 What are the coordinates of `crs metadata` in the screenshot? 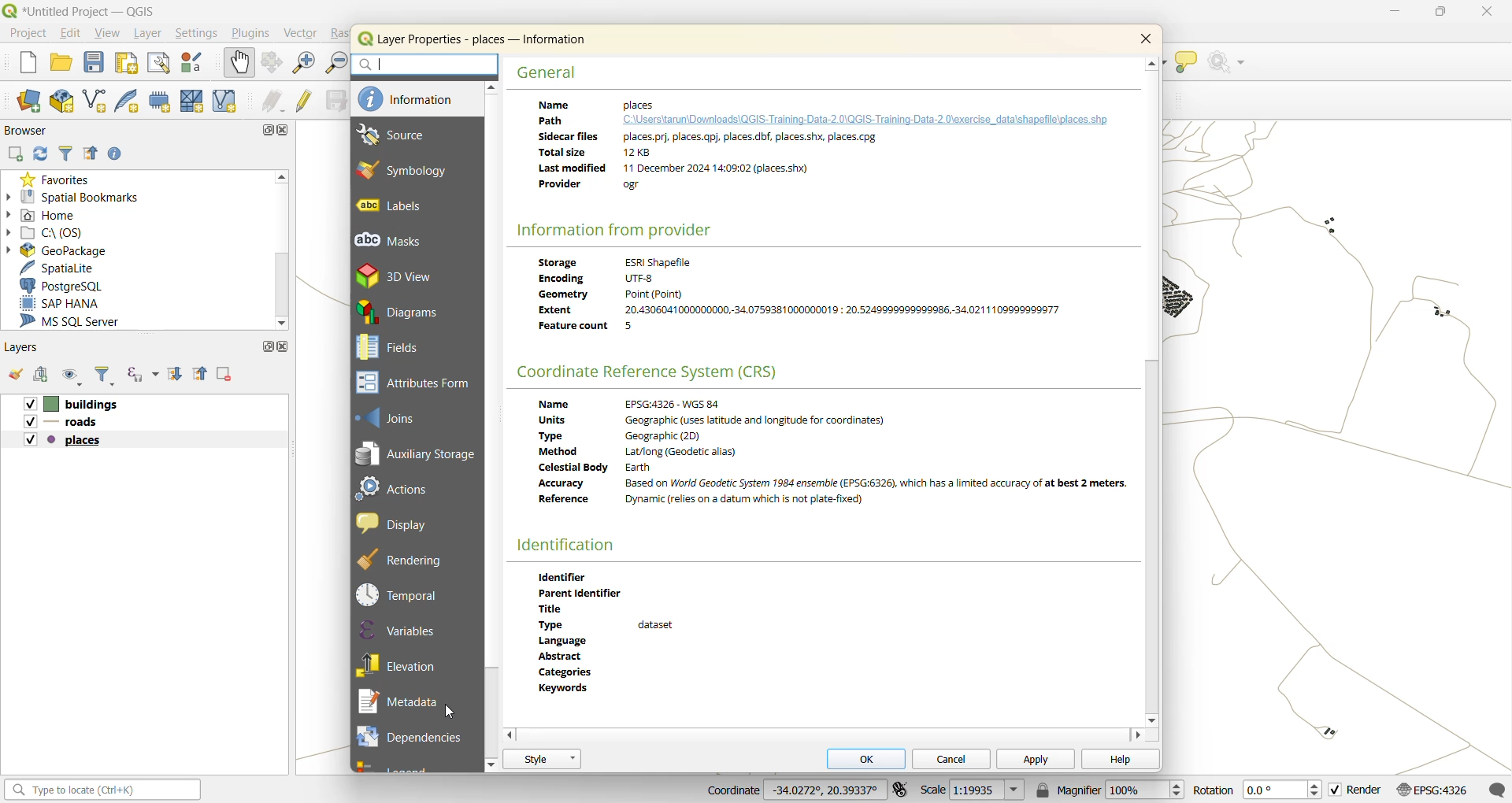 It's located at (836, 459).